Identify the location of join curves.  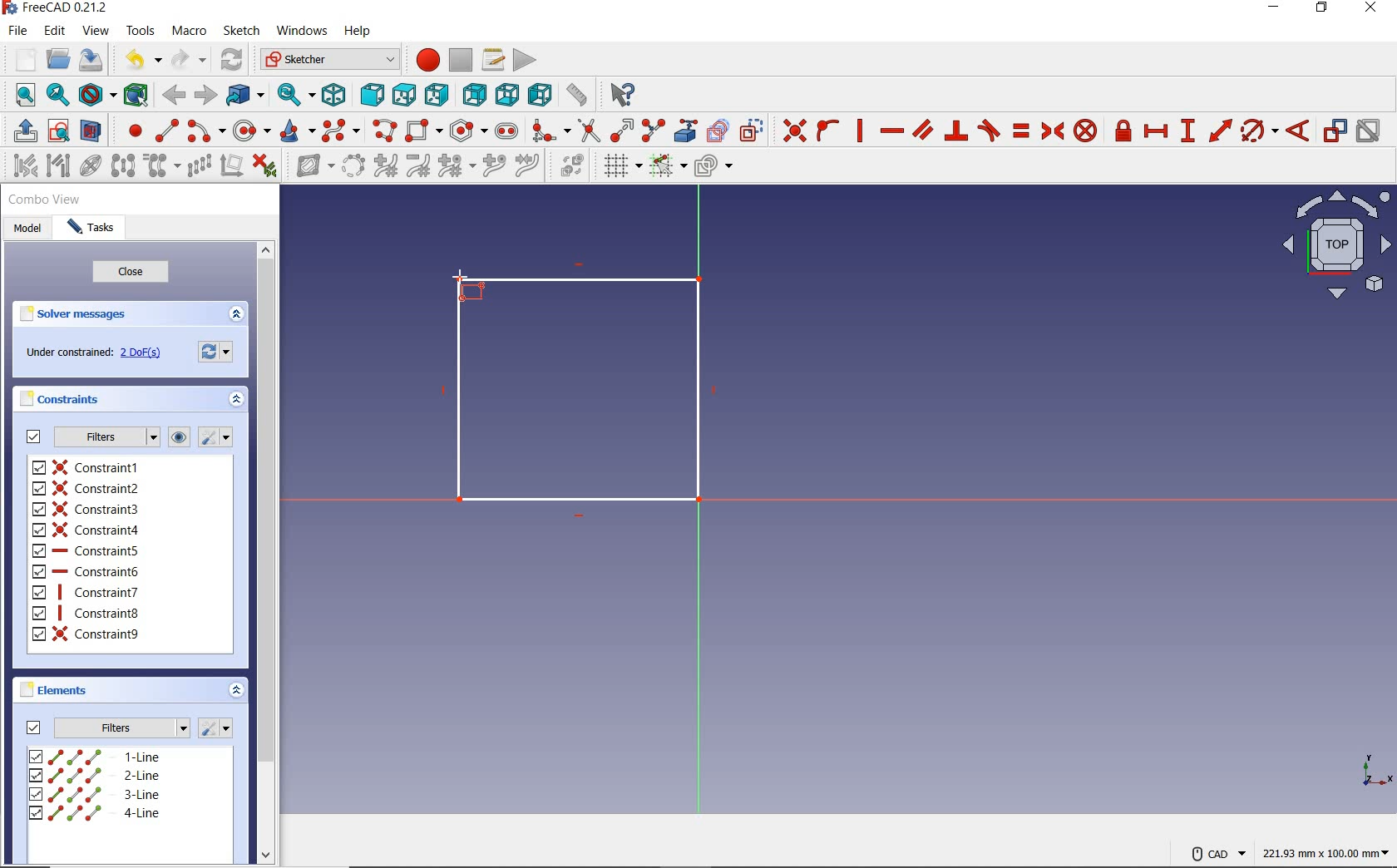
(529, 168).